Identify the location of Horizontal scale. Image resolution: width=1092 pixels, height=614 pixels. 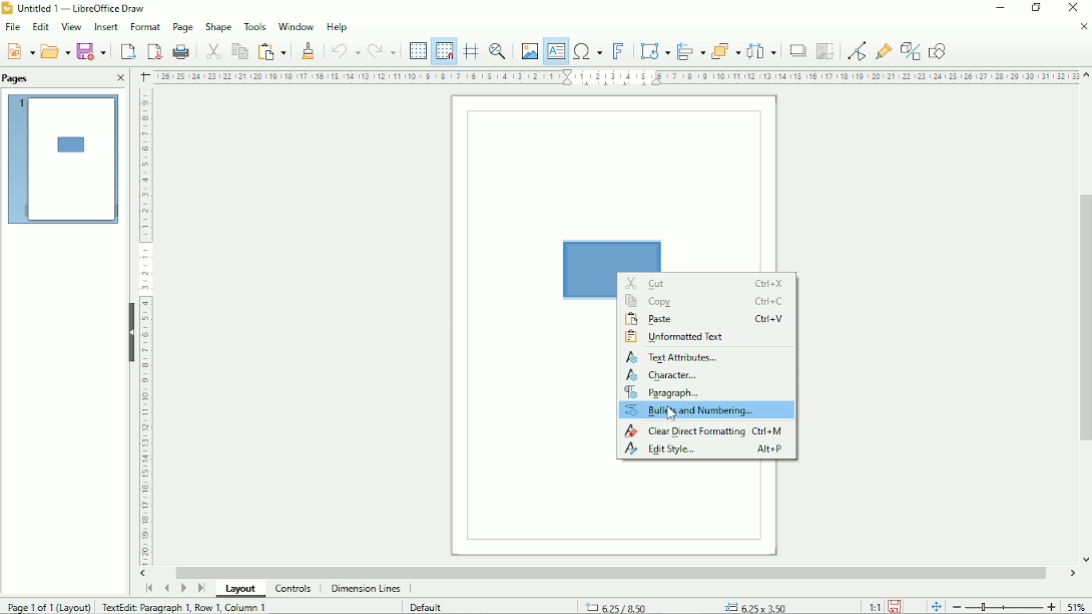
(145, 329).